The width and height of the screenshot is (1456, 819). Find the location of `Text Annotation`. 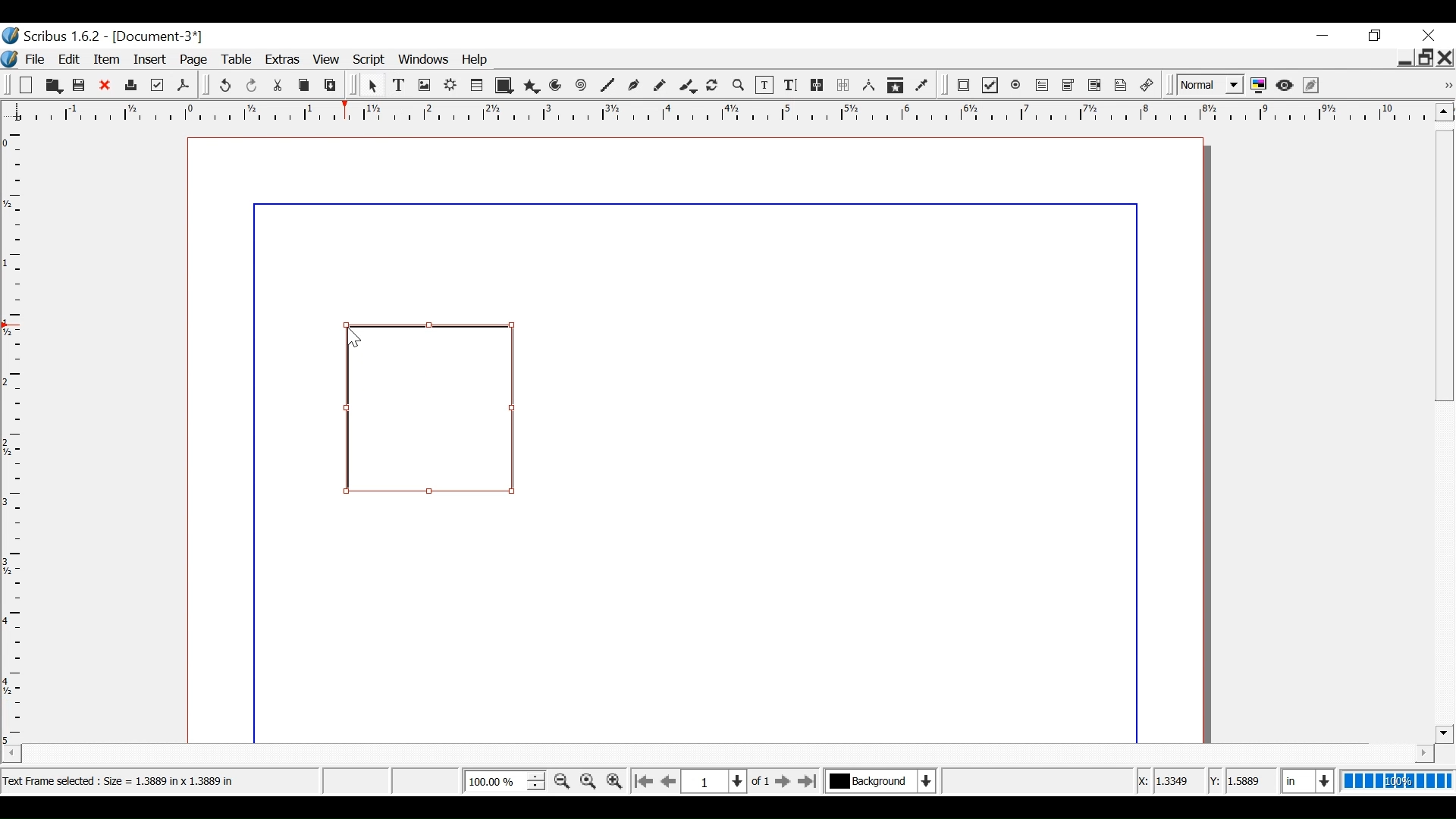

Text Annotation is located at coordinates (1122, 86).